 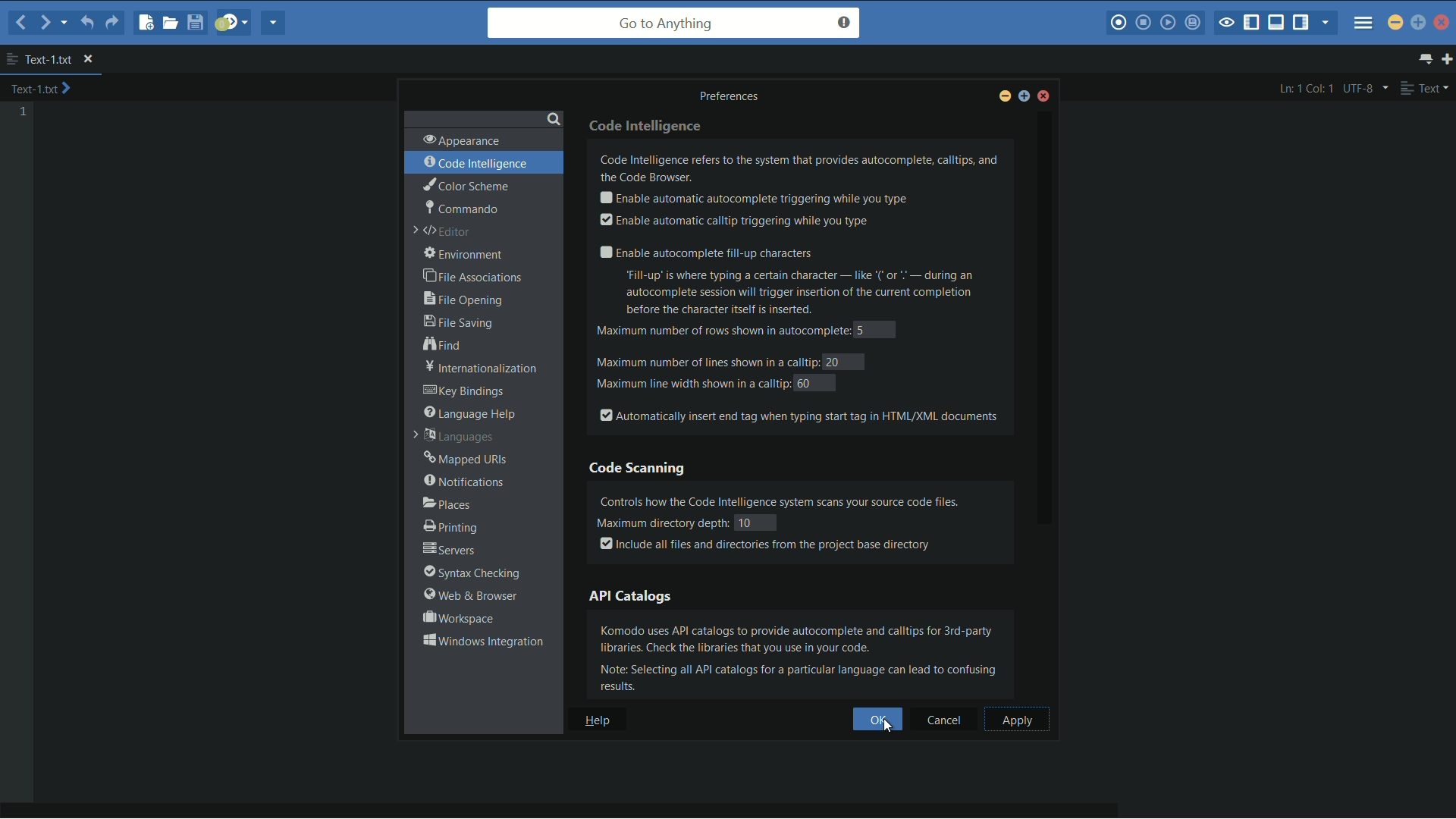 I want to click on stop macro, so click(x=1144, y=24).